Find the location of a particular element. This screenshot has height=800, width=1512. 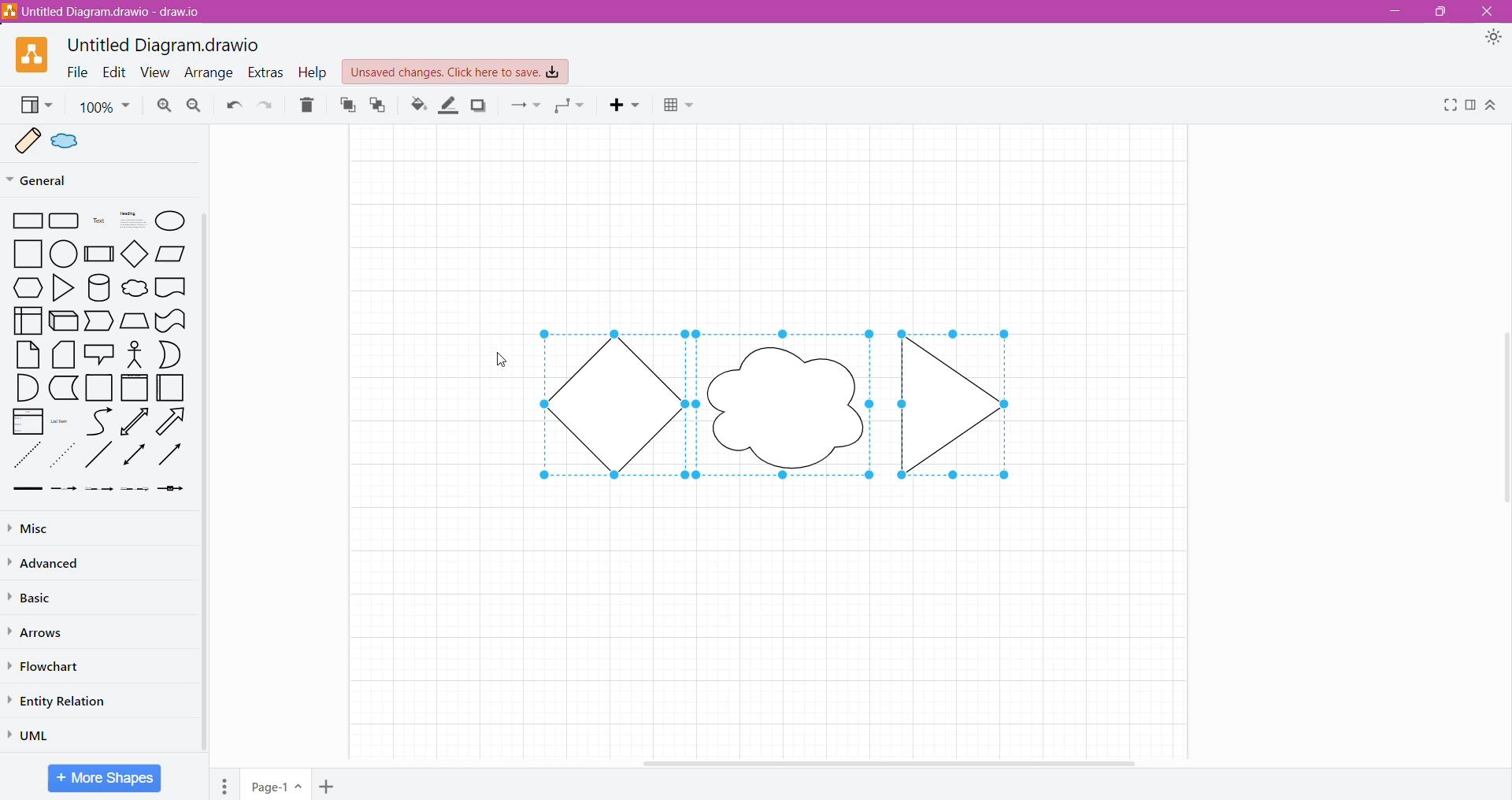

Redo is located at coordinates (267, 107).